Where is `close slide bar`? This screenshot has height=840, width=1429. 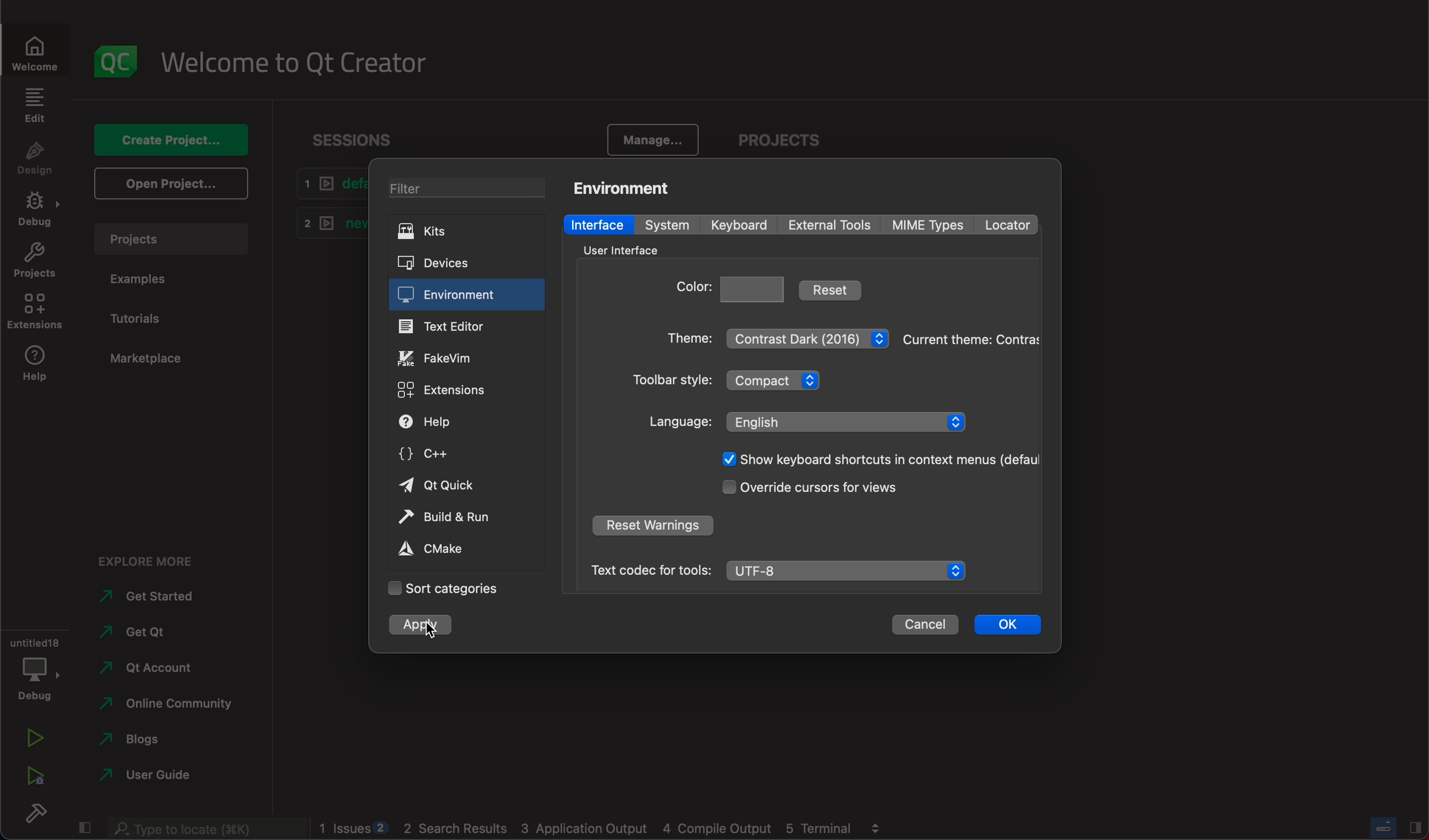
close slide bar is located at coordinates (1398, 826).